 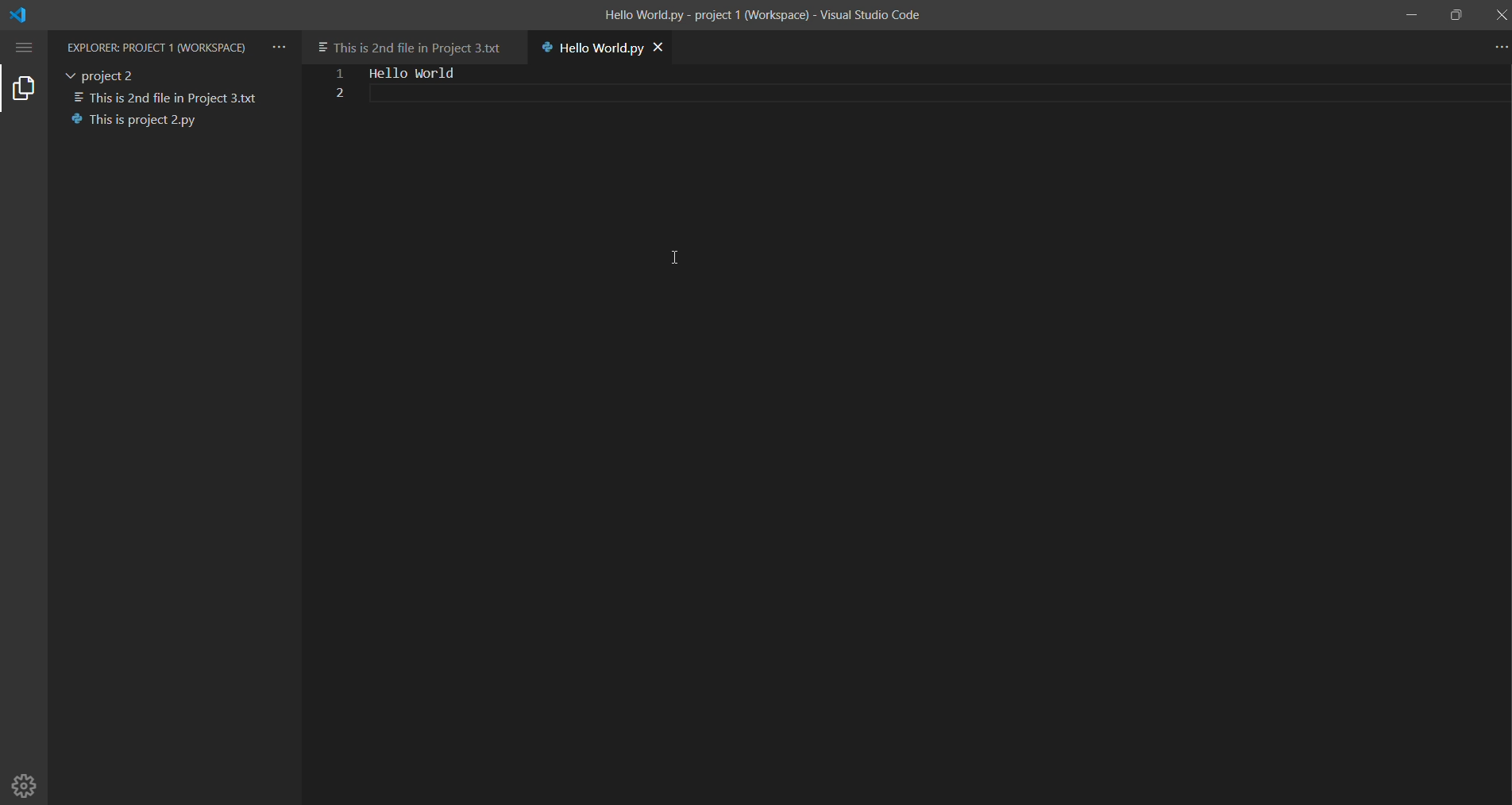 What do you see at coordinates (33, 14) in the screenshot?
I see `logo` at bounding box center [33, 14].